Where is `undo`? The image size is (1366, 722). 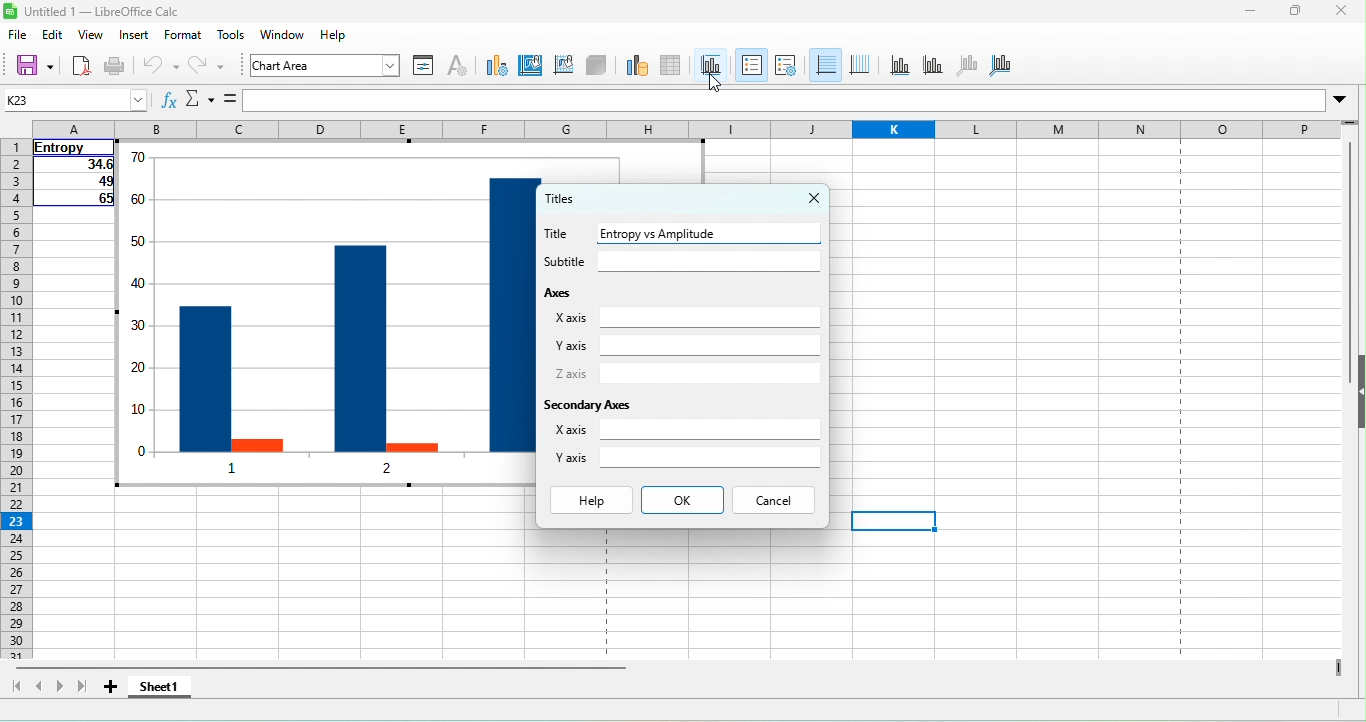 undo is located at coordinates (162, 68).